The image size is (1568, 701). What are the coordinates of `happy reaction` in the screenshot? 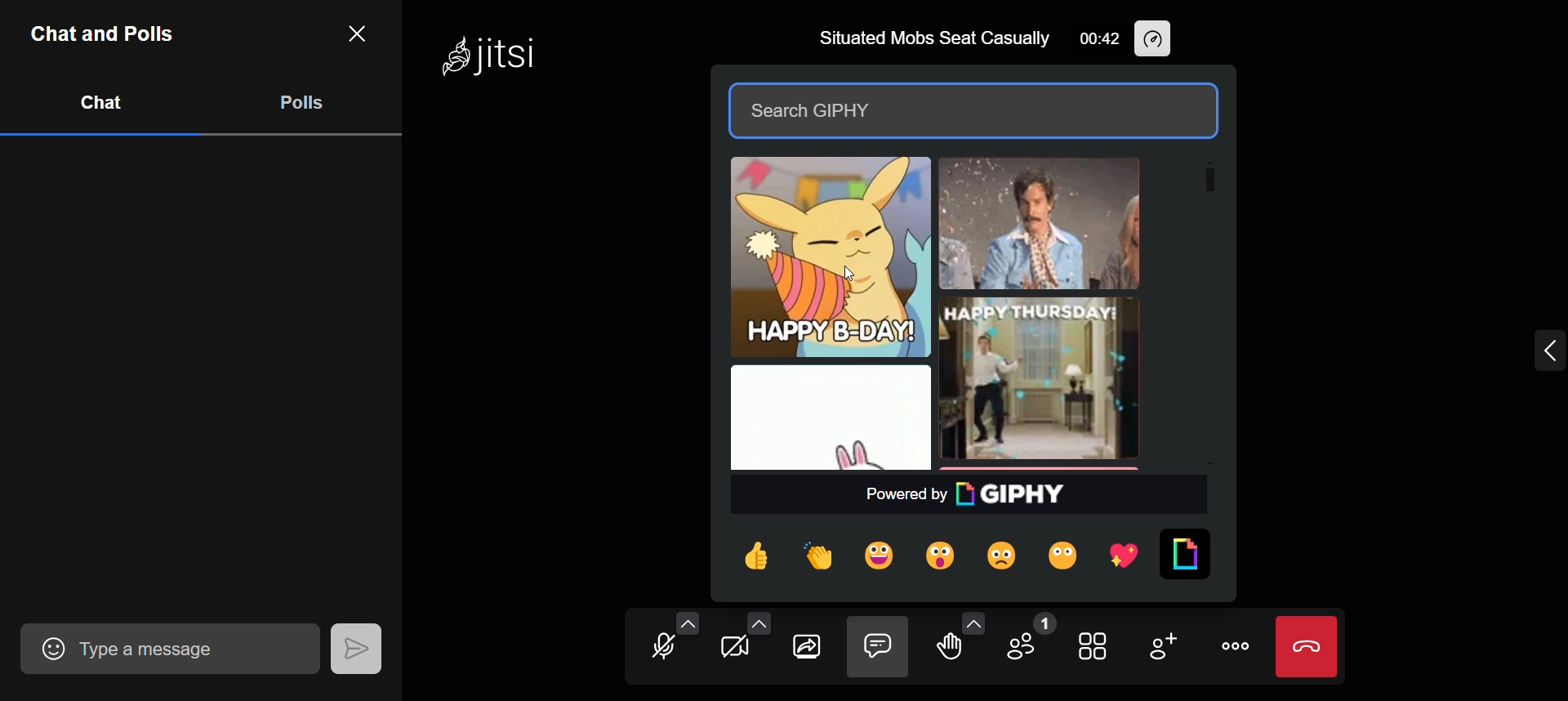 It's located at (877, 556).